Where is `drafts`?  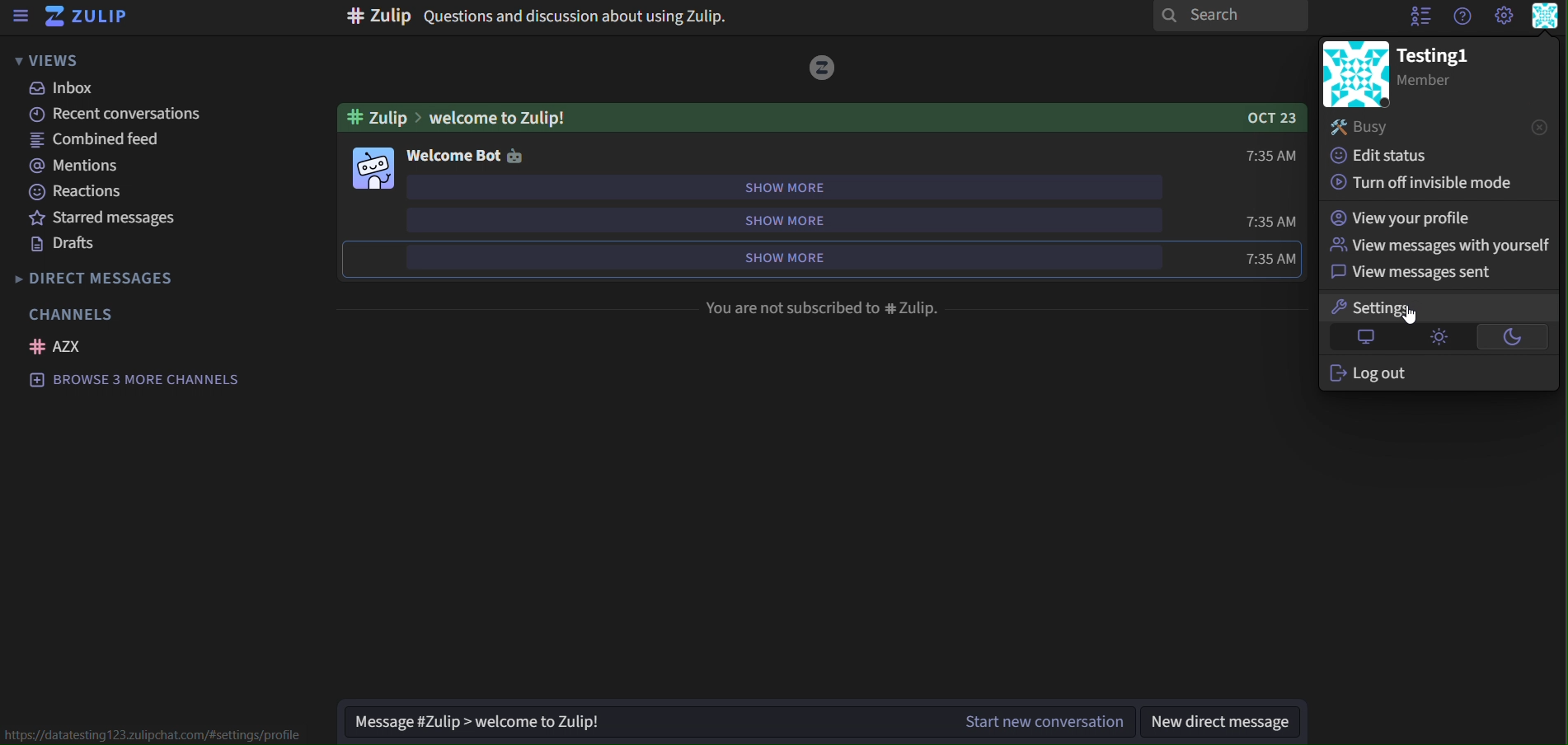
drafts is located at coordinates (61, 244).